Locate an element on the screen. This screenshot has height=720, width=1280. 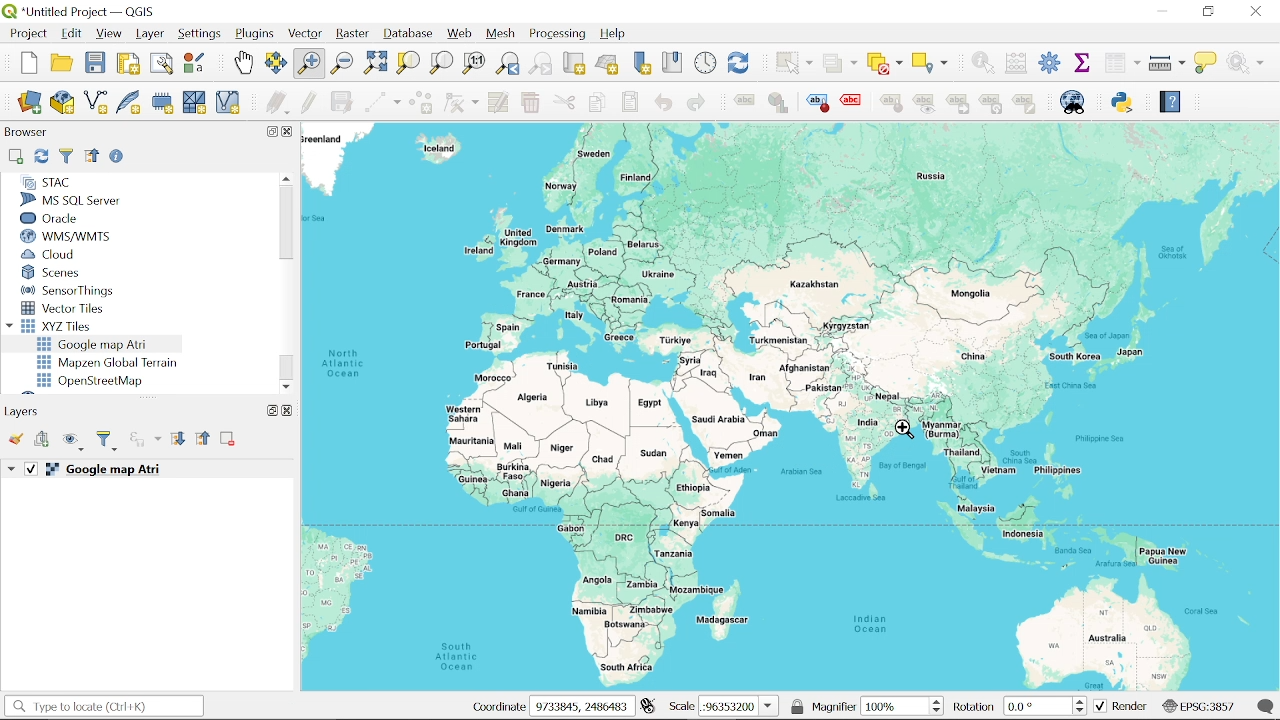
Collapse all is located at coordinates (204, 440).